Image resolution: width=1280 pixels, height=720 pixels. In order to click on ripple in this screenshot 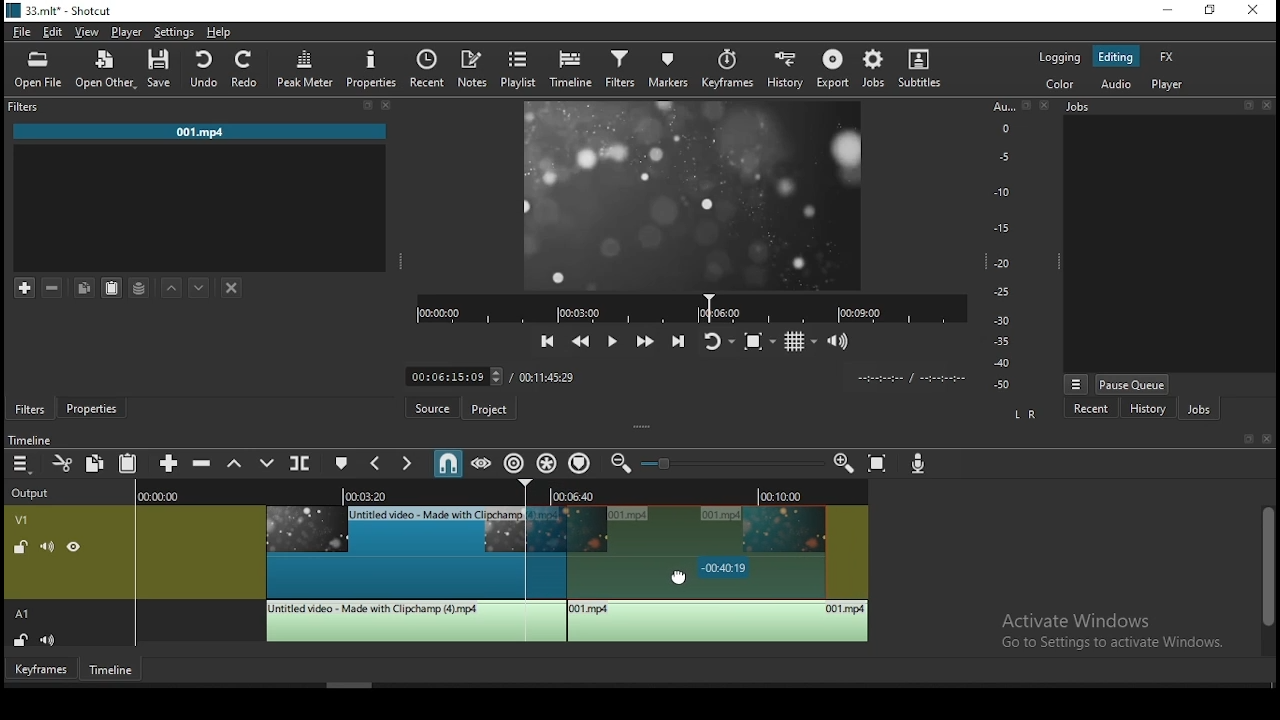, I will do `click(514, 463)`.